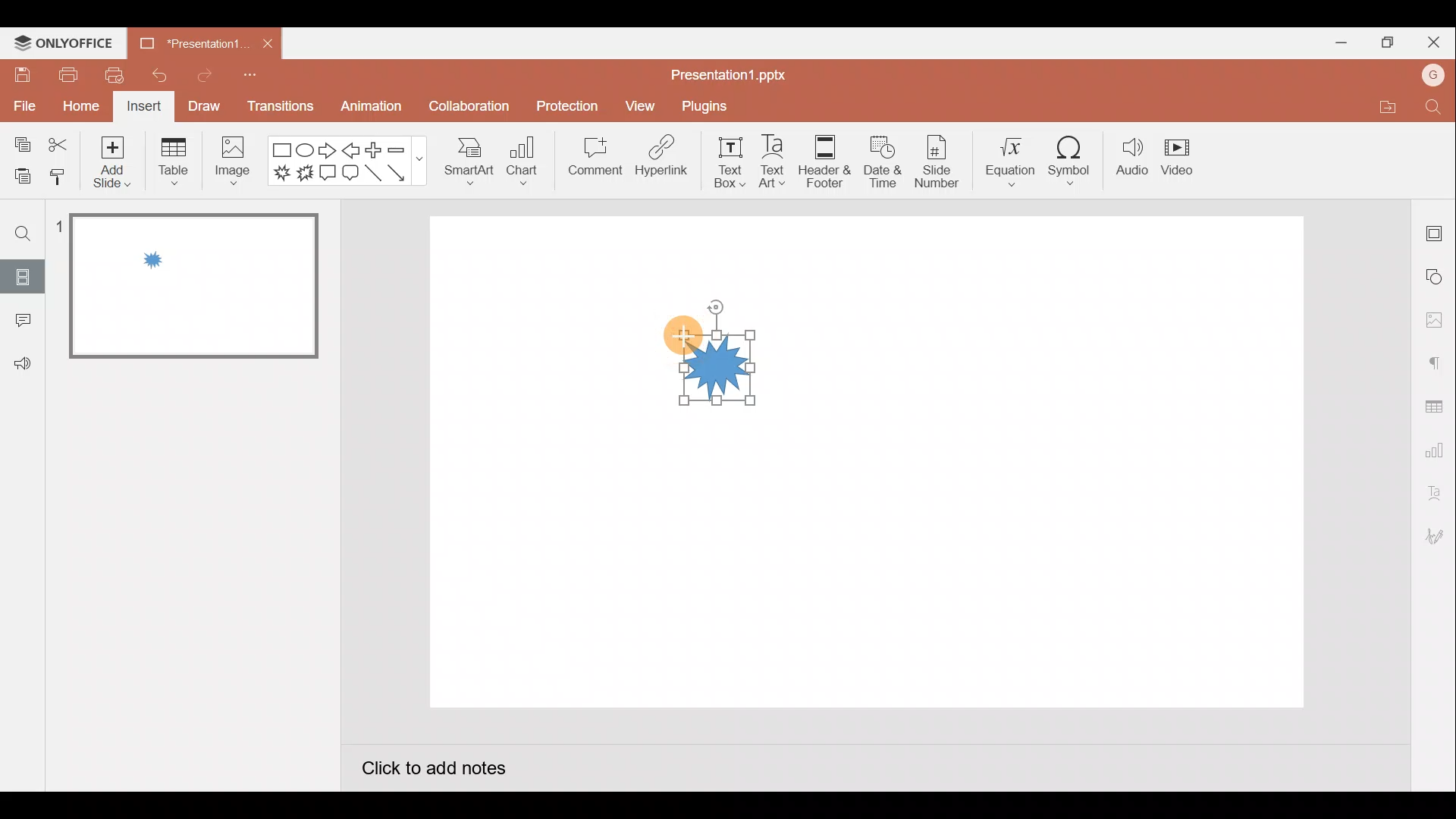 The image size is (1456, 819). What do you see at coordinates (372, 150) in the screenshot?
I see `Plus` at bounding box center [372, 150].